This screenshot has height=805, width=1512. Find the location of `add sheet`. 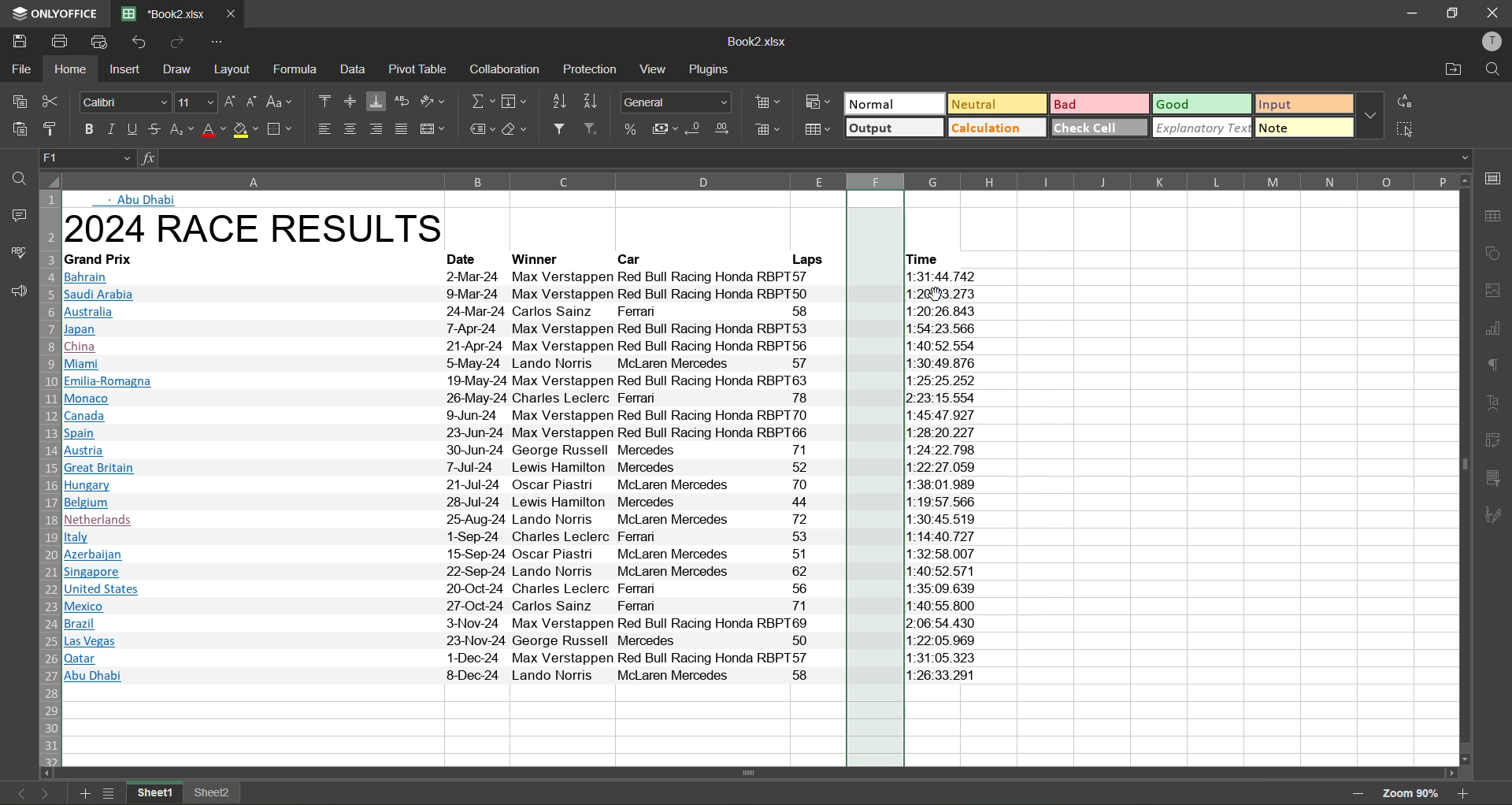

add sheet is located at coordinates (86, 793).